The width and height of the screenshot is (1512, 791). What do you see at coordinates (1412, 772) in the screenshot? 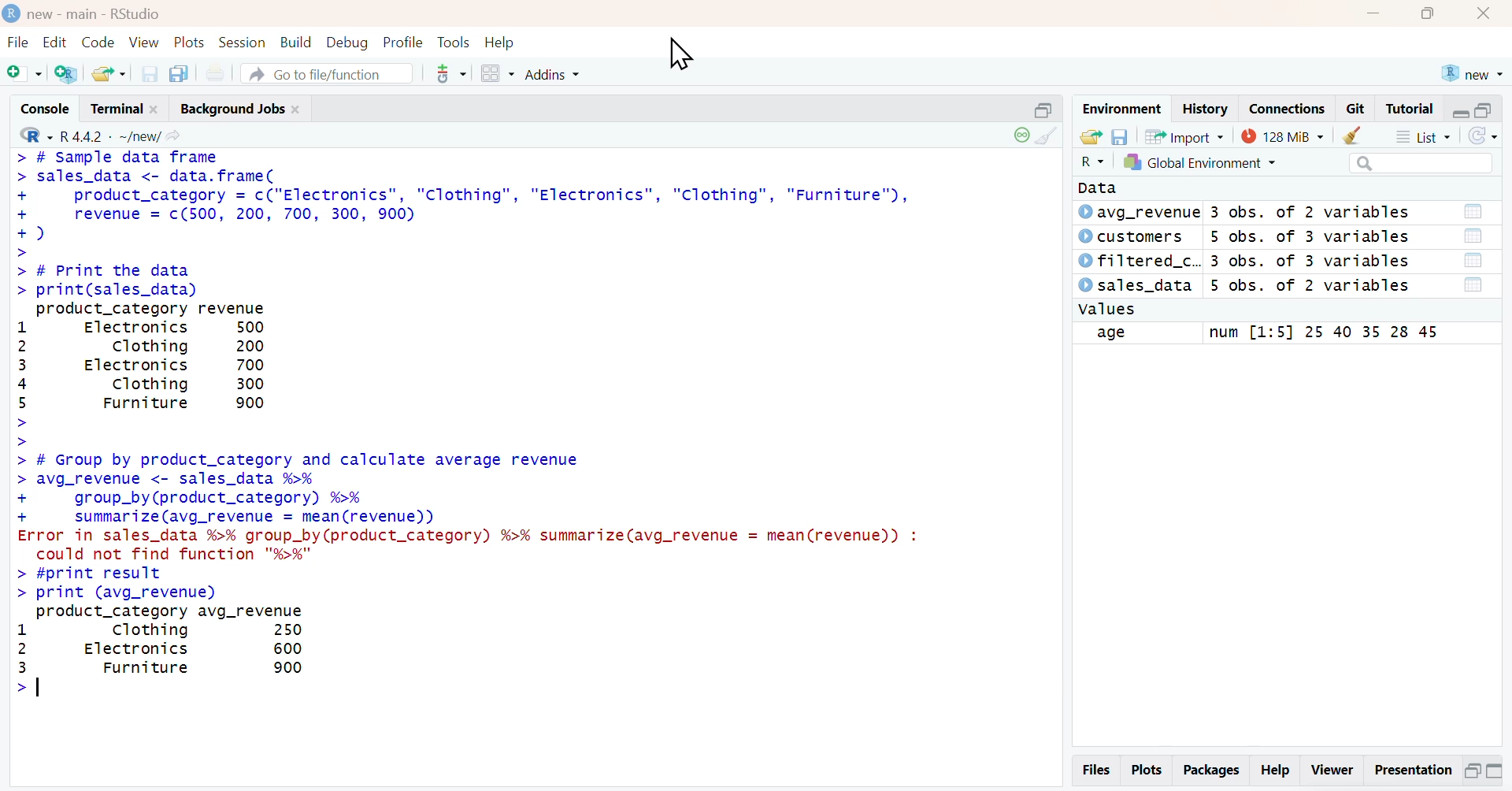
I see `Presentation` at bounding box center [1412, 772].